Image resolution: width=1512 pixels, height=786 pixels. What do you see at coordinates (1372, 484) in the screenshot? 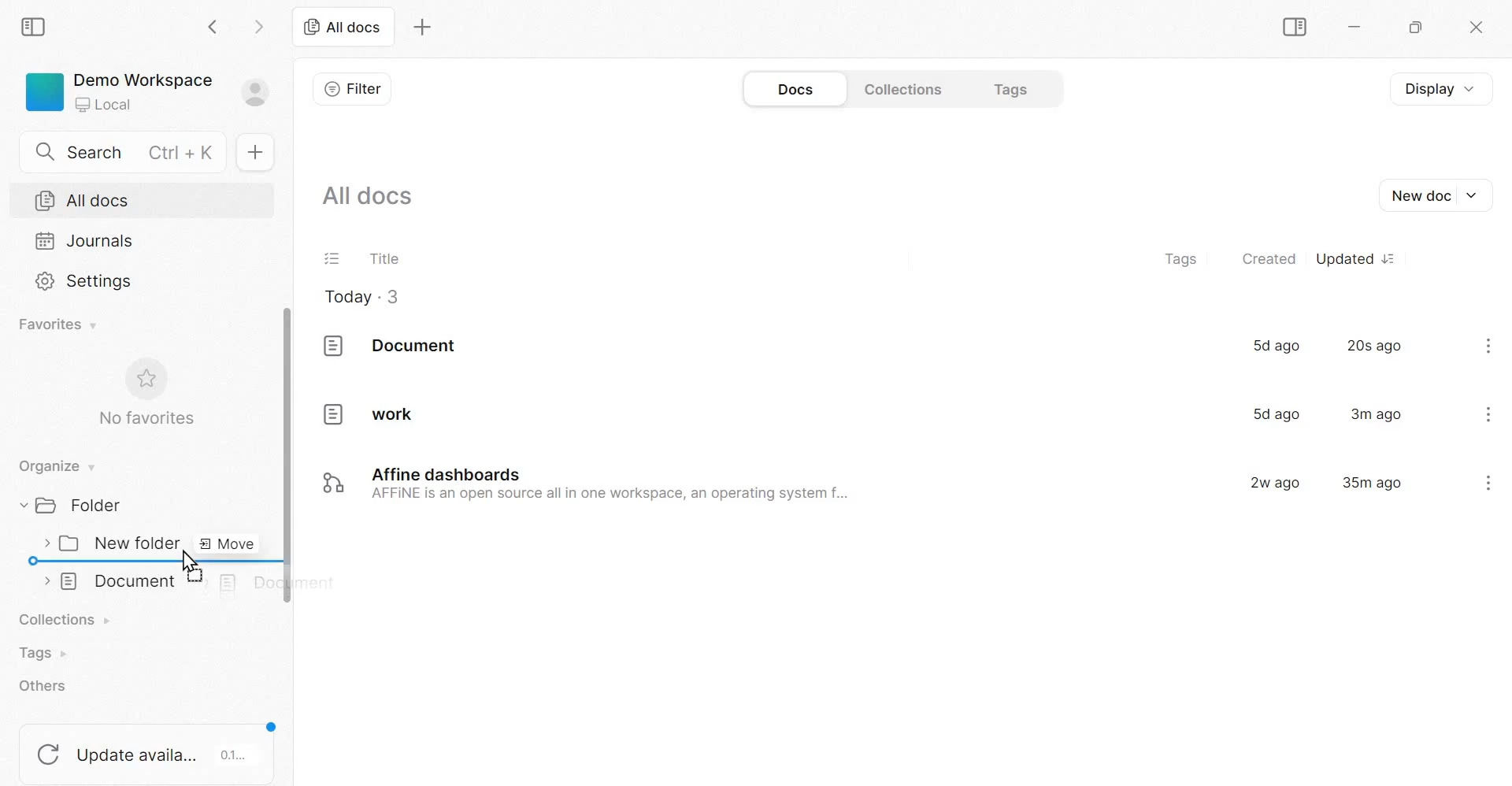
I see `35m ago` at bounding box center [1372, 484].